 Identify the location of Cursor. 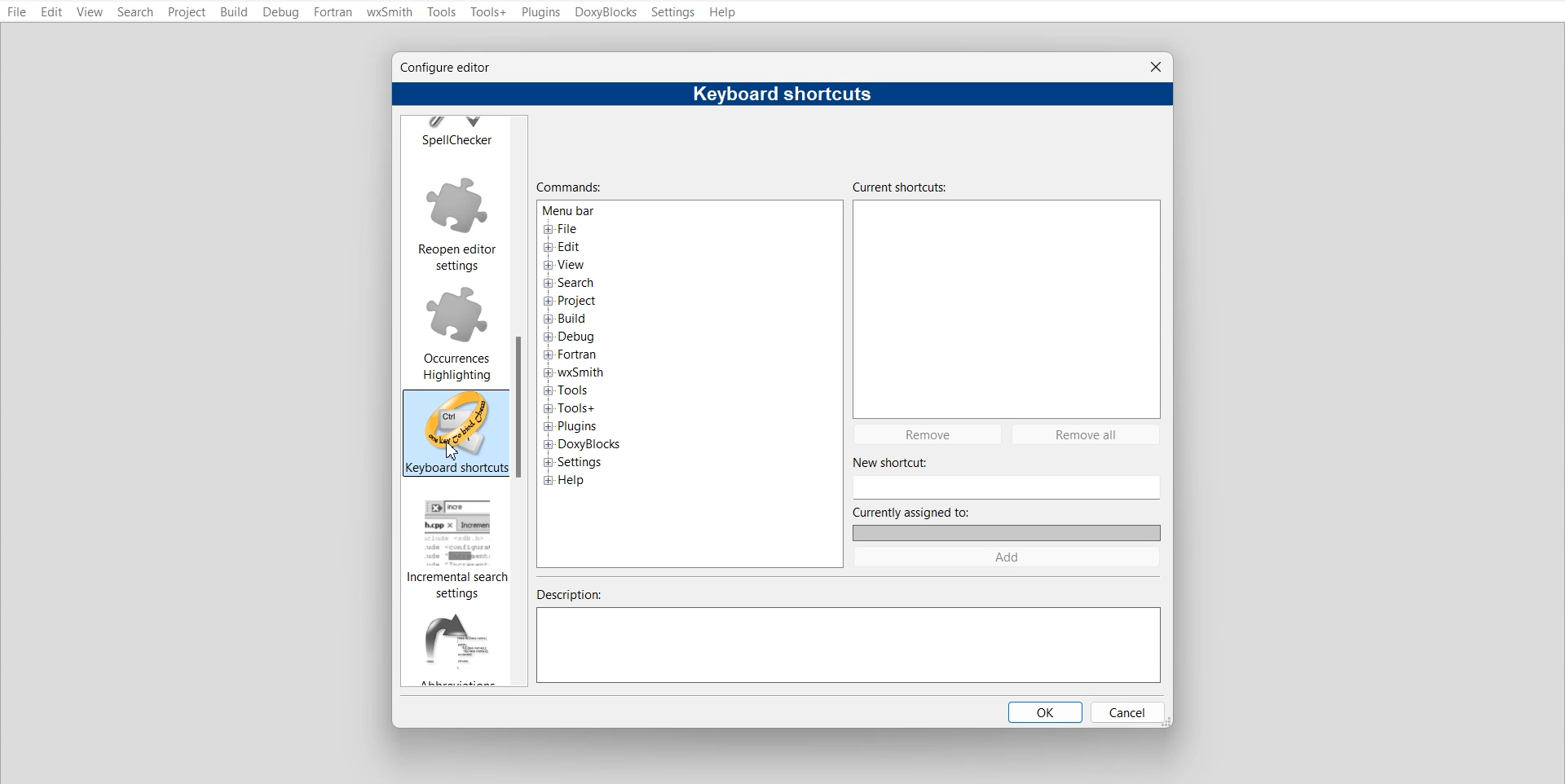
(453, 449).